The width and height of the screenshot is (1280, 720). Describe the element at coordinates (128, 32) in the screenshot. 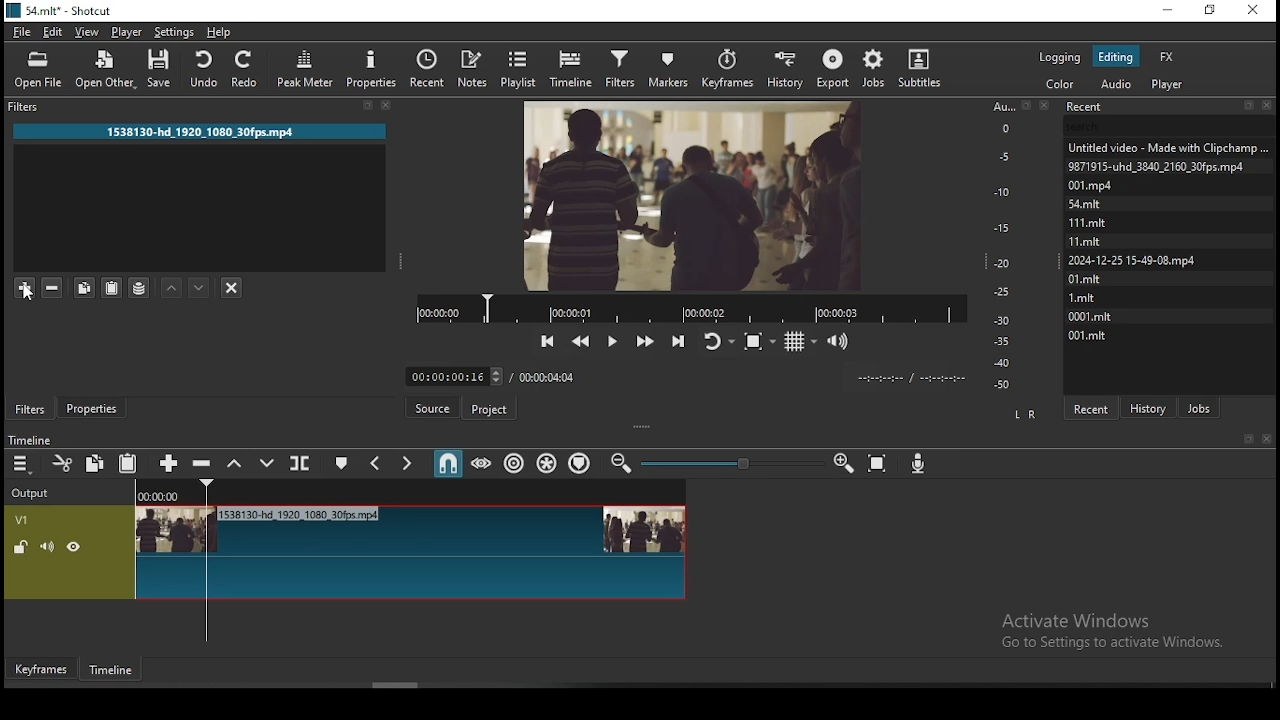

I see `player` at that location.